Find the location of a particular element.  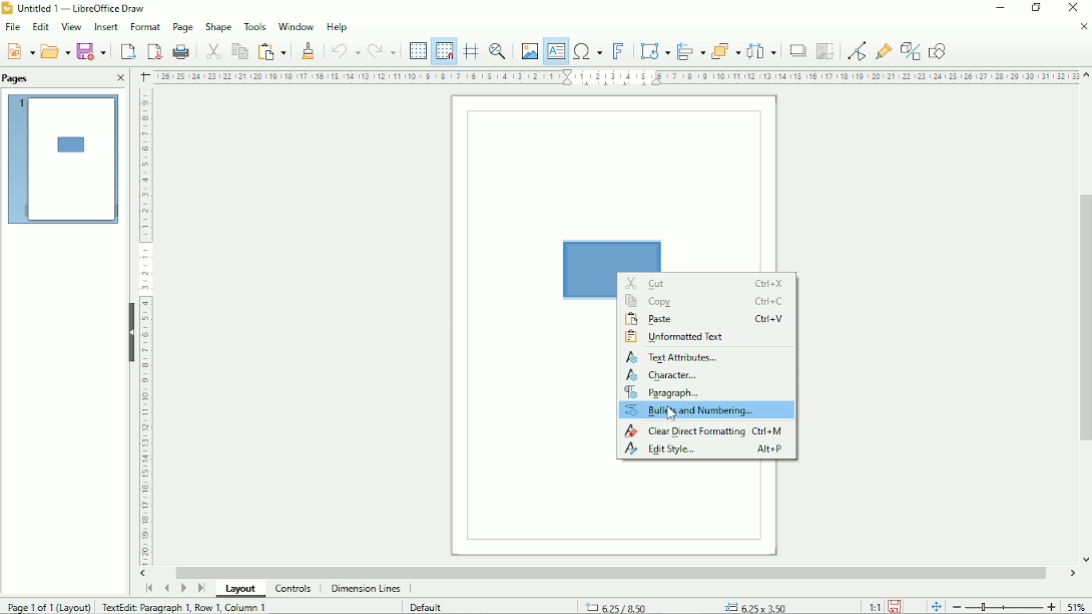

Cut is located at coordinates (705, 282).